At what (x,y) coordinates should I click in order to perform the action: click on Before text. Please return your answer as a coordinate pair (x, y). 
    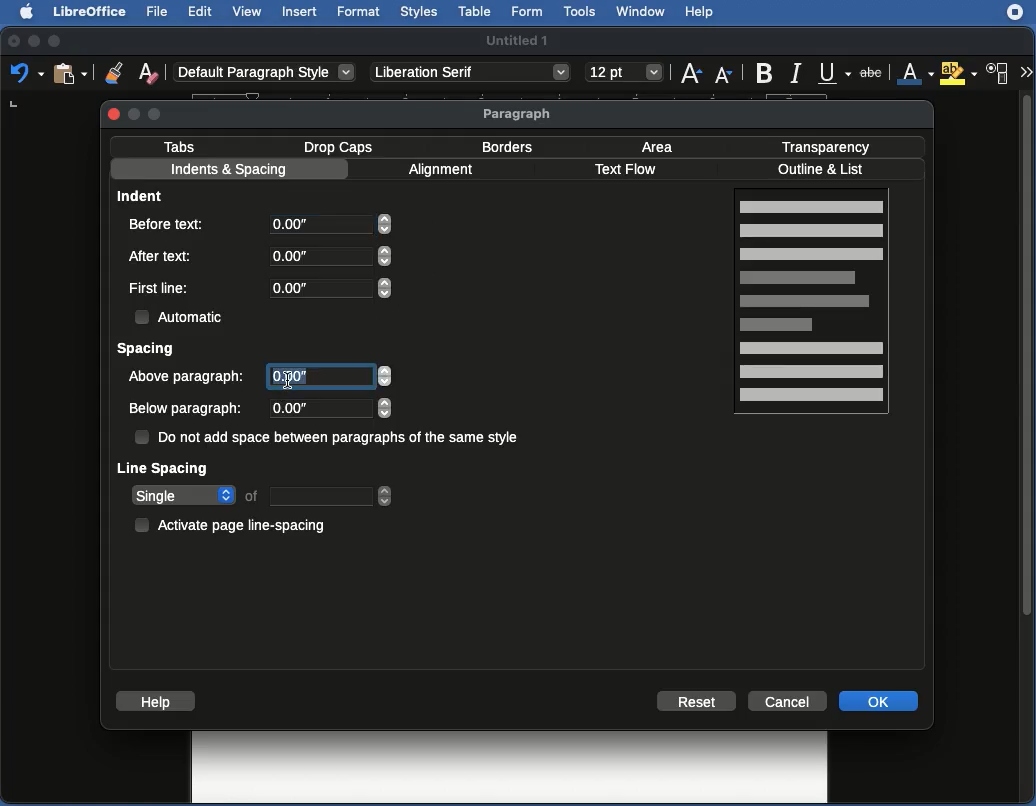
    Looking at the image, I should click on (173, 223).